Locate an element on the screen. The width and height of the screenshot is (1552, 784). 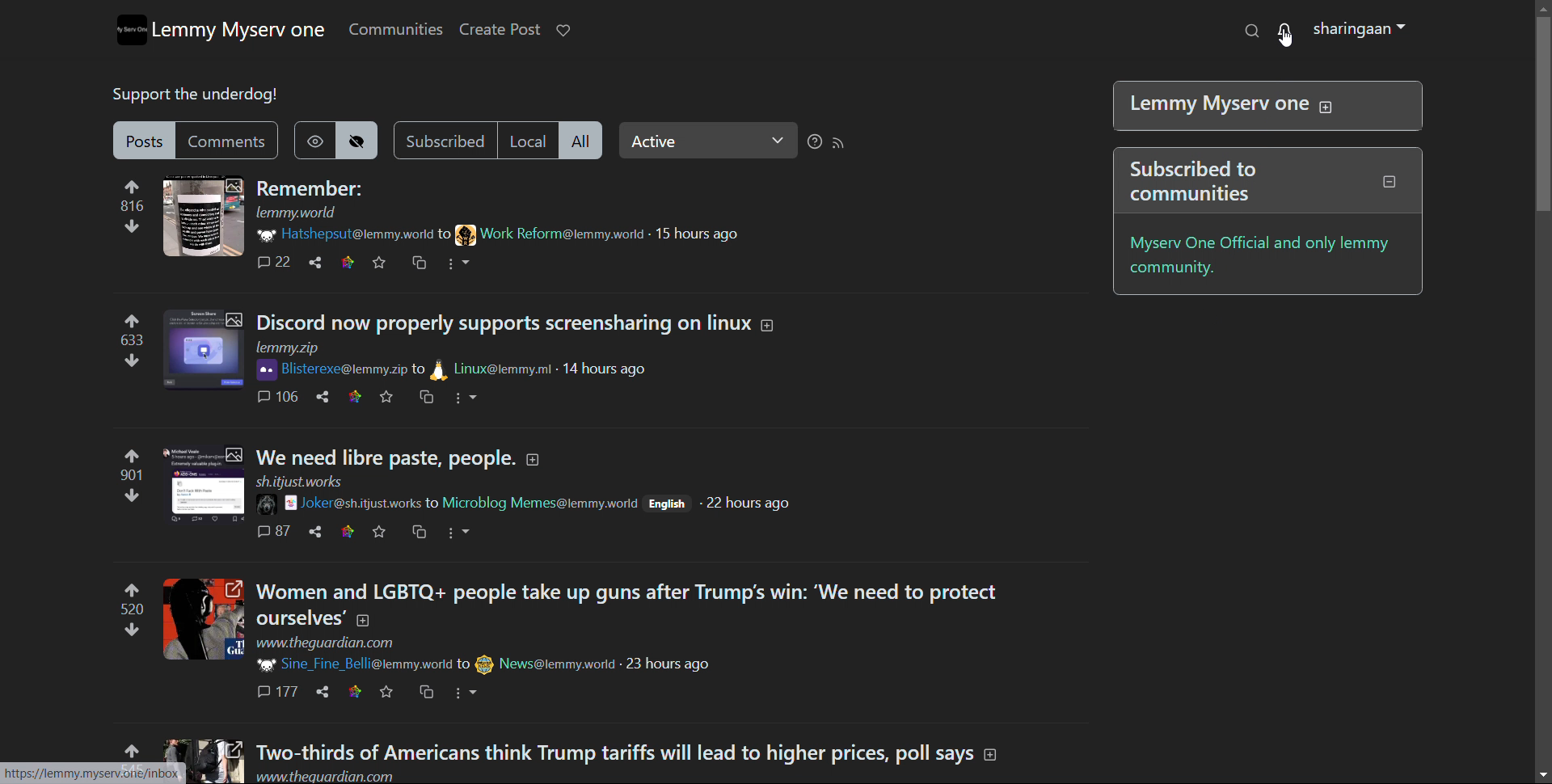
options is located at coordinates (466, 694).